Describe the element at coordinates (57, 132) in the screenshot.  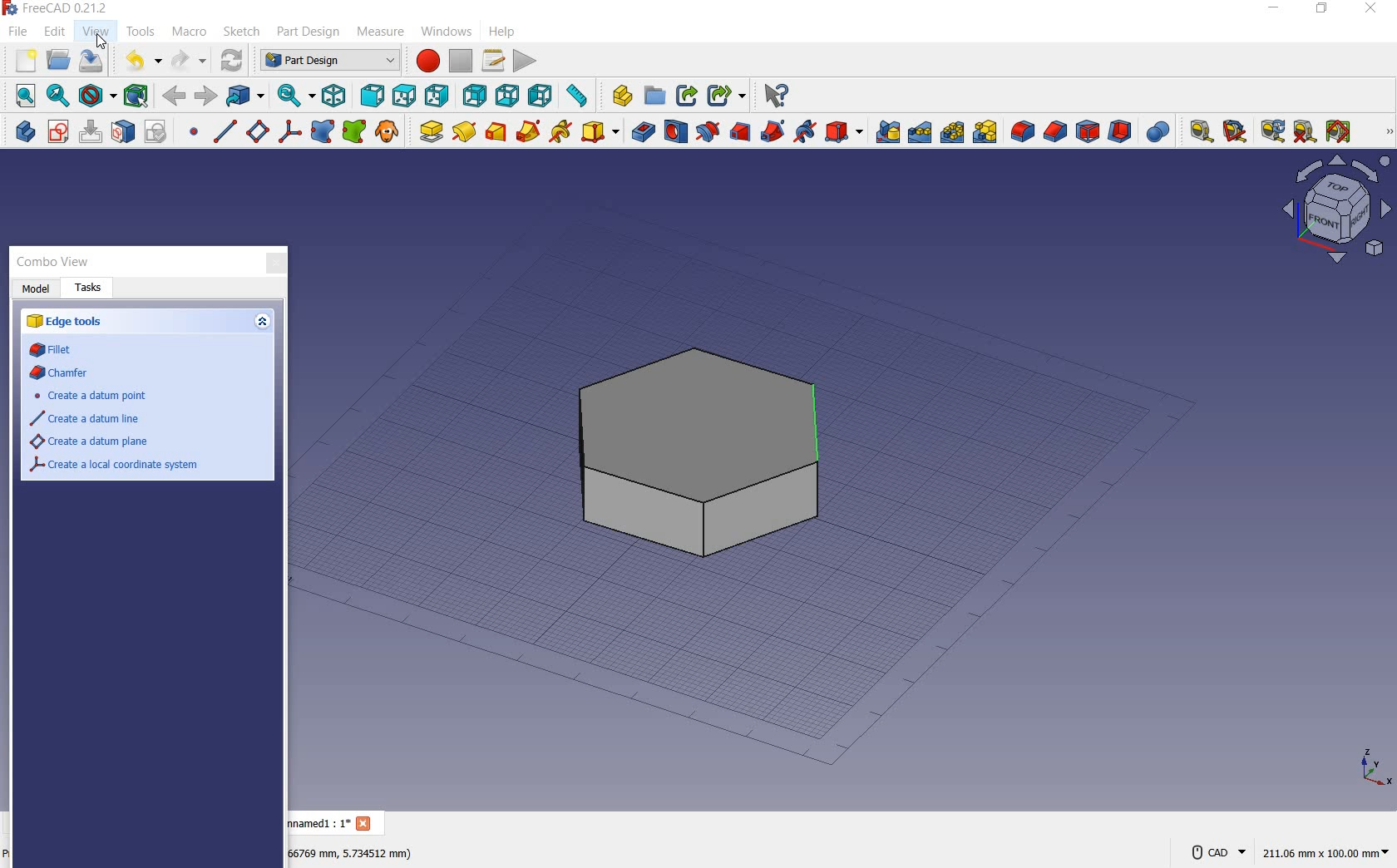
I see `create sketch` at that location.